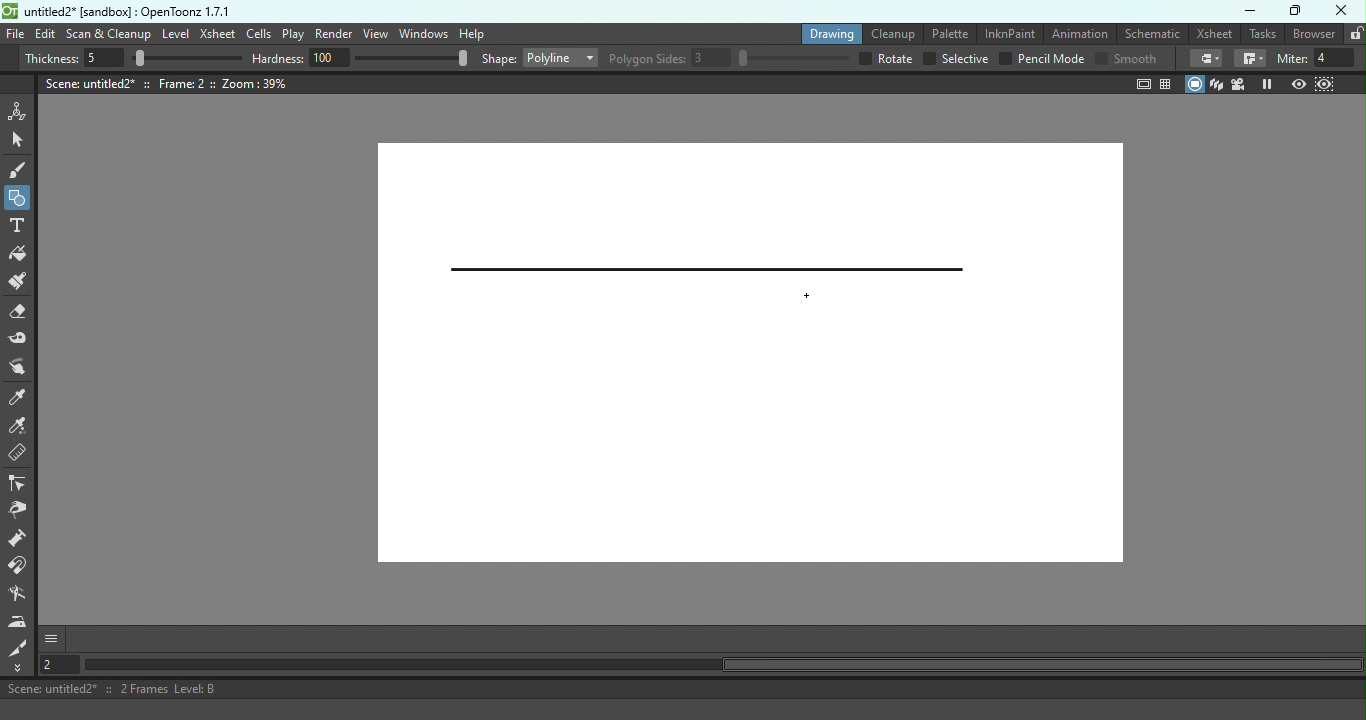  What do you see at coordinates (1219, 85) in the screenshot?
I see `3D view` at bounding box center [1219, 85].